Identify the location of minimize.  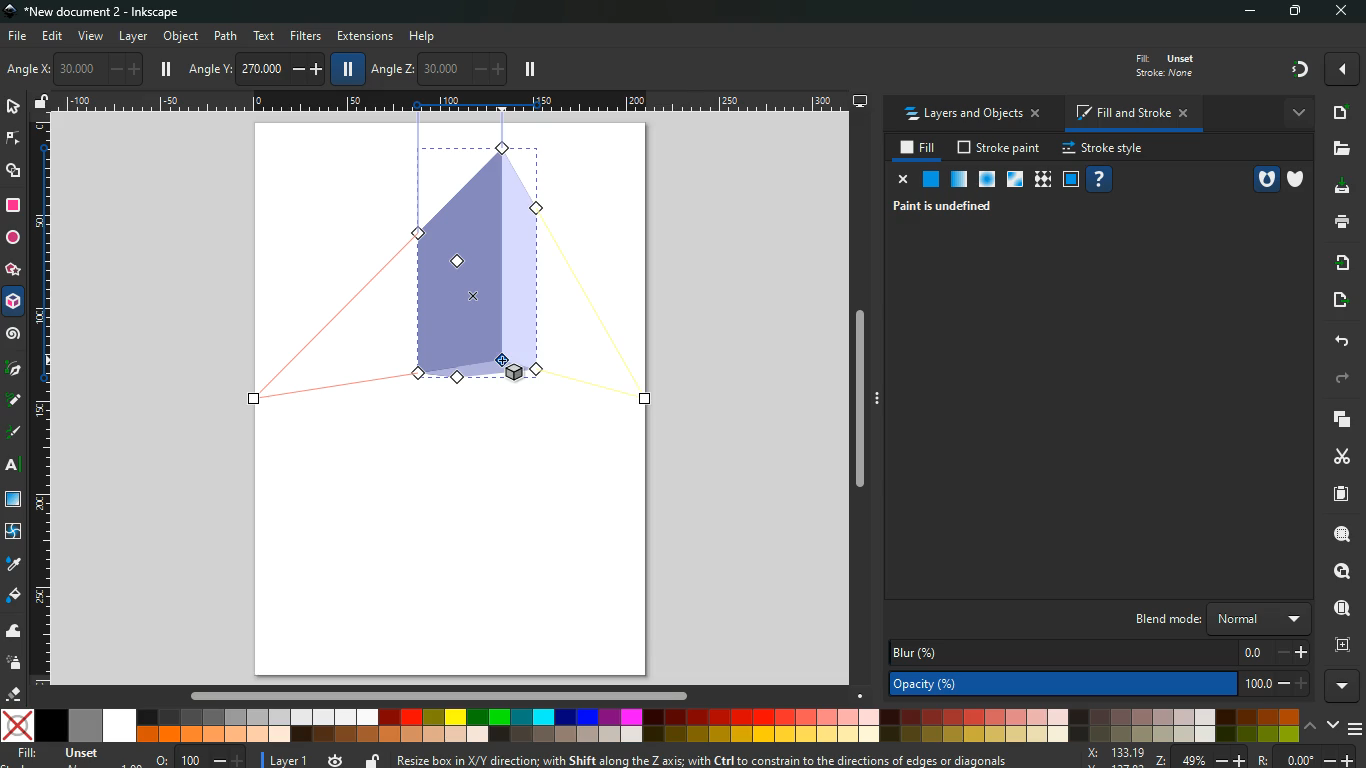
(1255, 12).